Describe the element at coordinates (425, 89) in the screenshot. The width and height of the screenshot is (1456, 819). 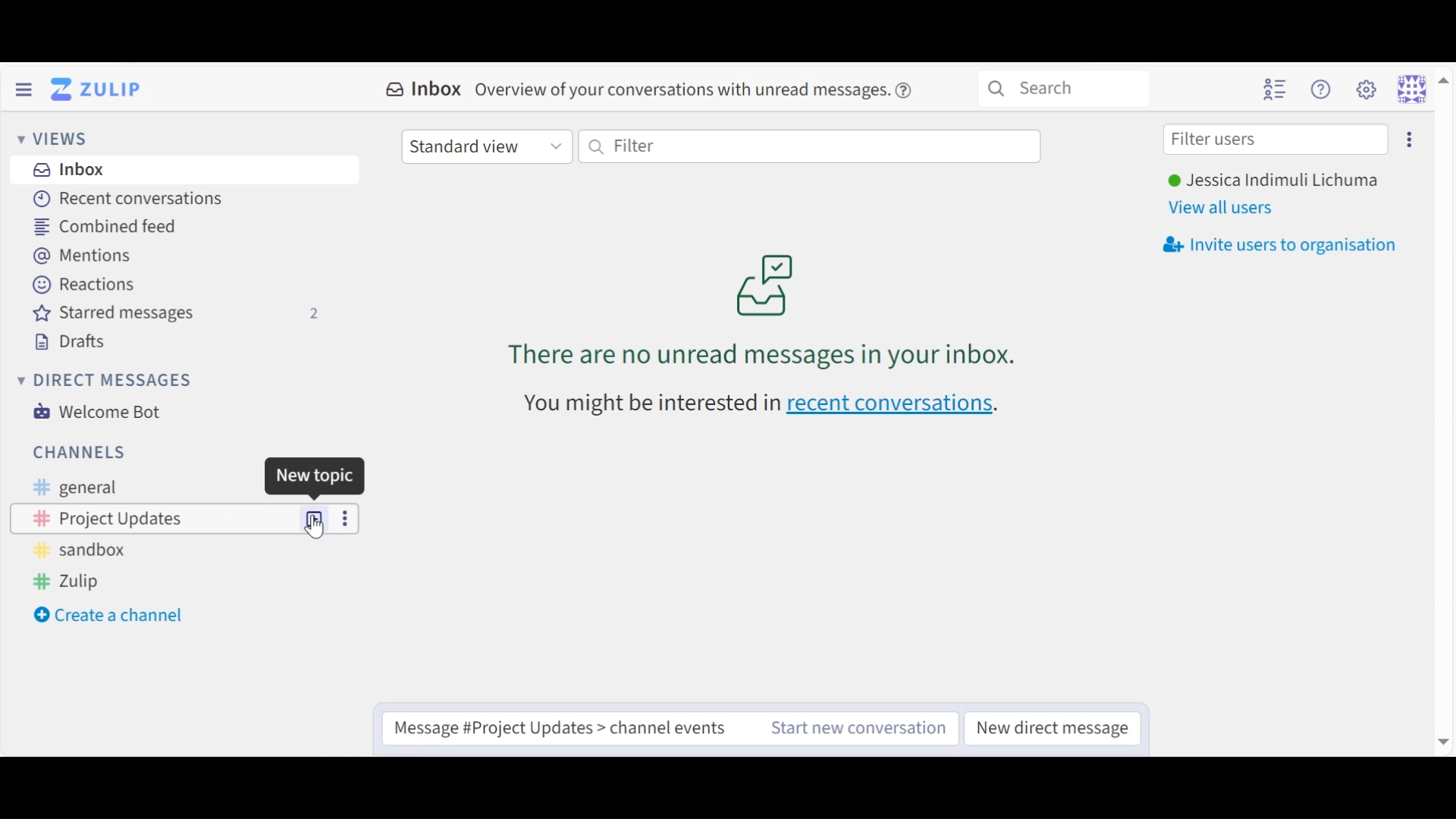
I see `Inbox` at that location.